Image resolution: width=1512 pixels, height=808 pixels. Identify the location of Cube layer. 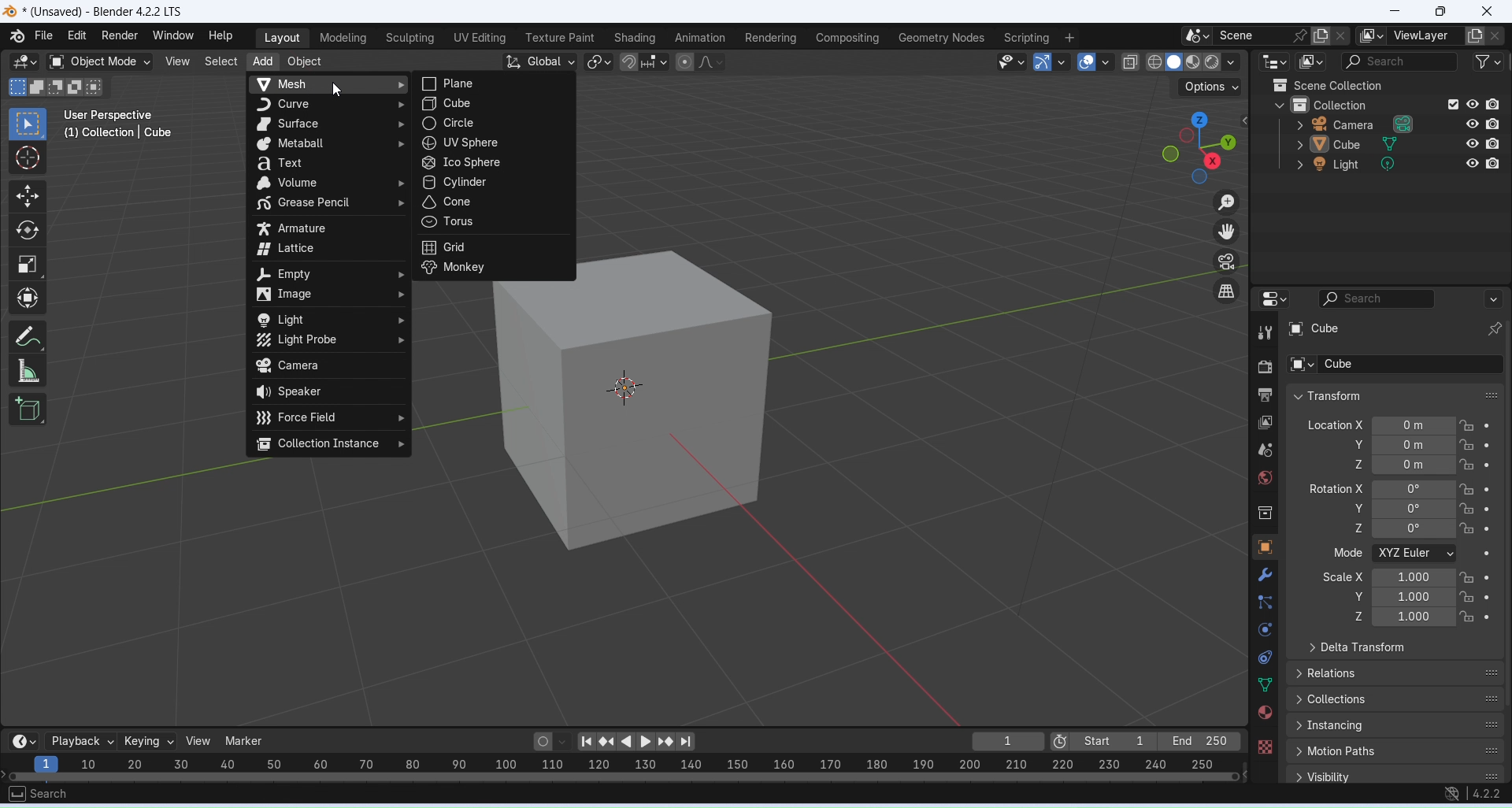
(1396, 143).